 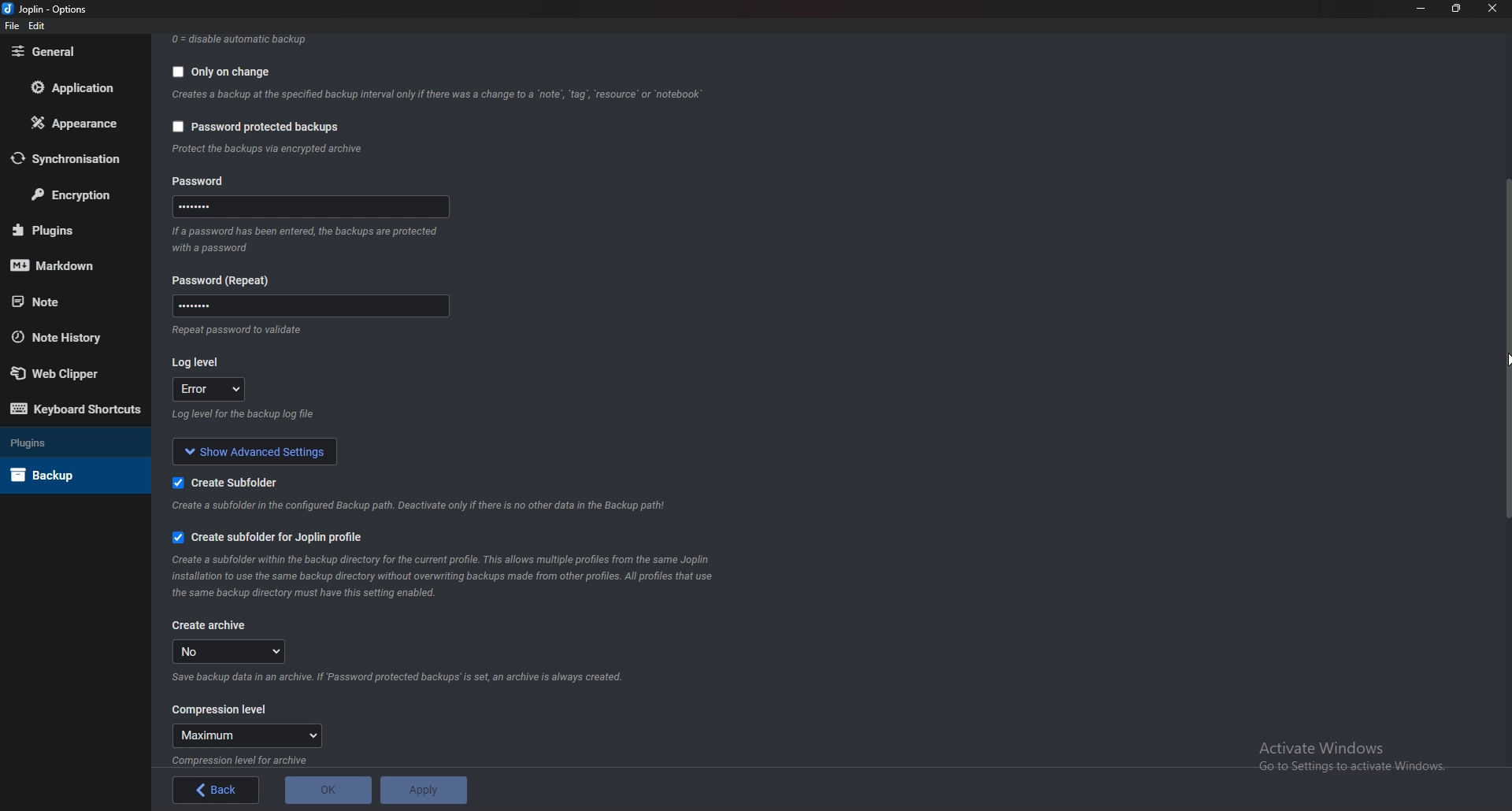 What do you see at coordinates (1507, 357) in the screenshot?
I see `cursor` at bounding box center [1507, 357].